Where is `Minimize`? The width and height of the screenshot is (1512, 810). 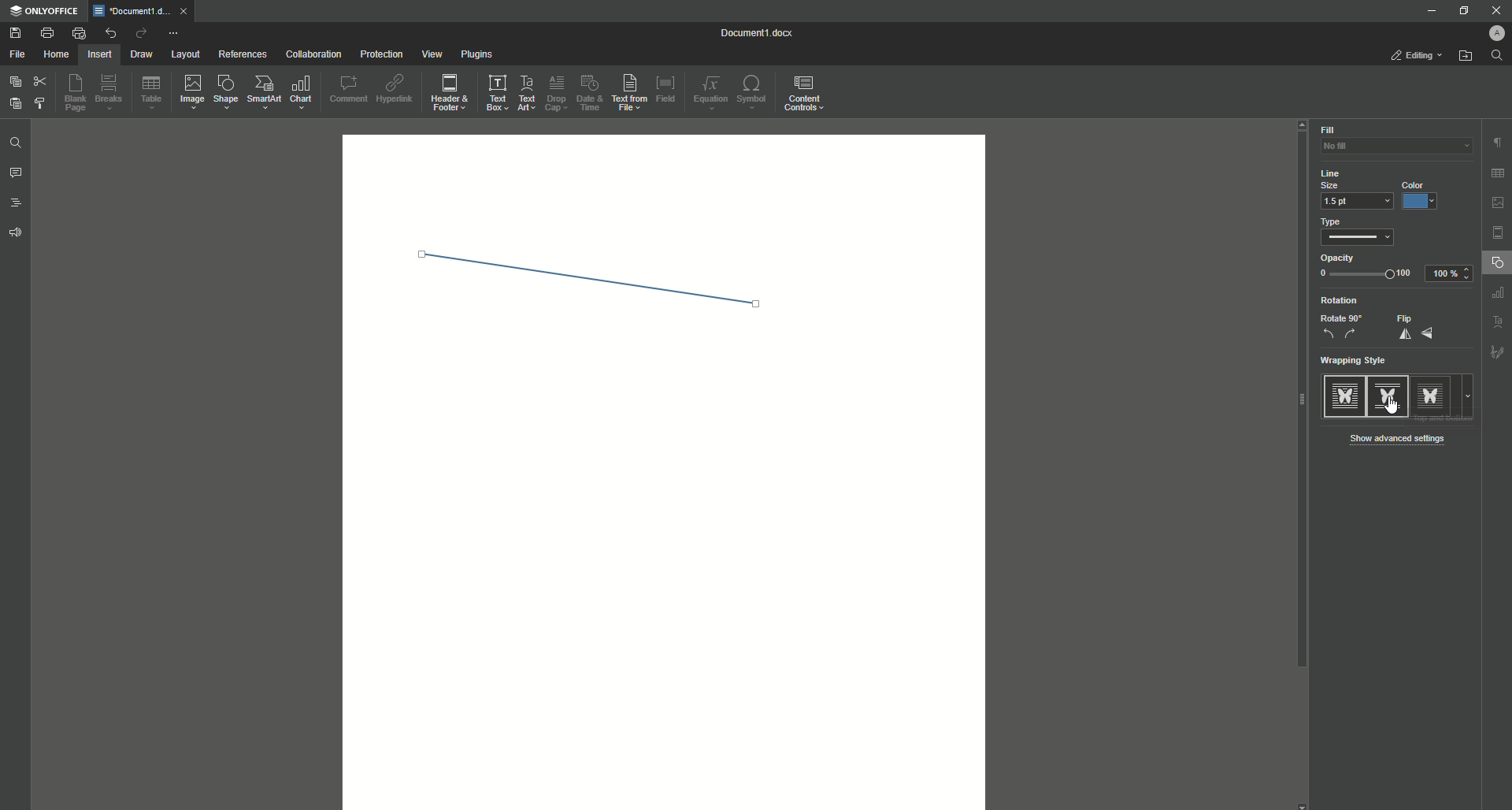 Minimize is located at coordinates (1427, 10).